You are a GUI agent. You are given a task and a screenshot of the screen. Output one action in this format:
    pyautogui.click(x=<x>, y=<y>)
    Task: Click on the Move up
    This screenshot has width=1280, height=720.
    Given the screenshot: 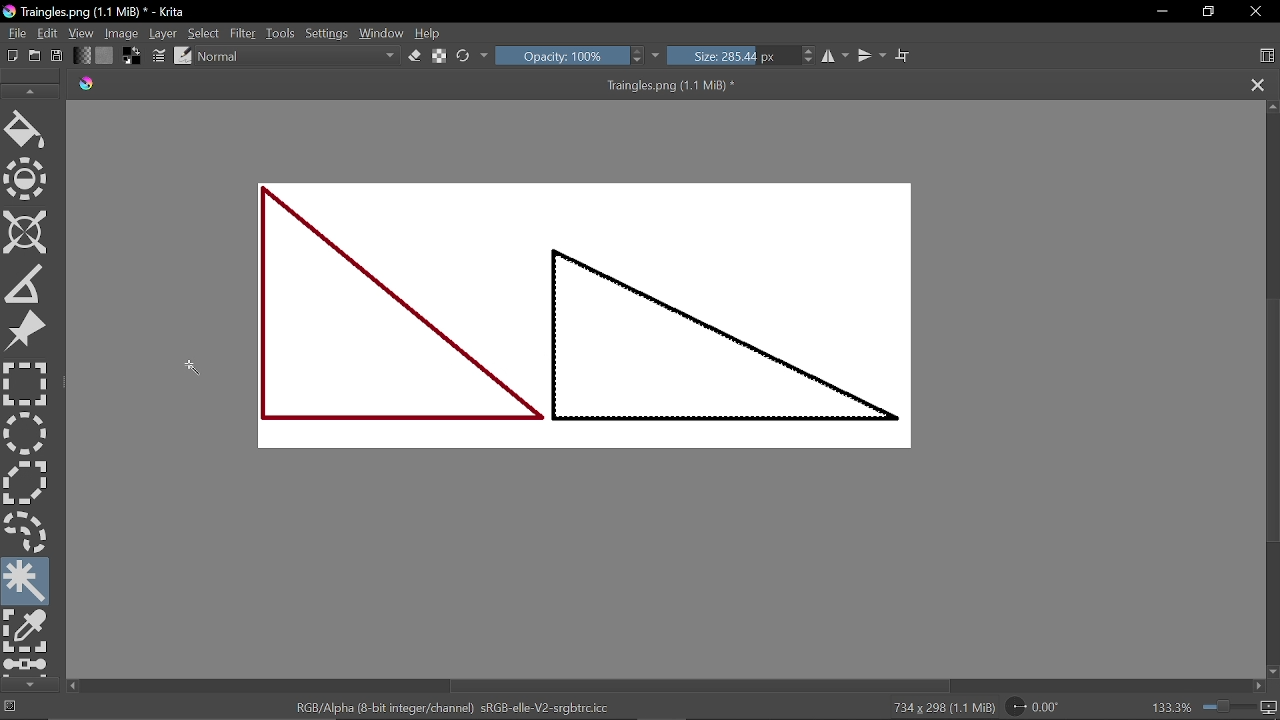 What is the action you would take?
    pyautogui.click(x=1272, y=108)
    